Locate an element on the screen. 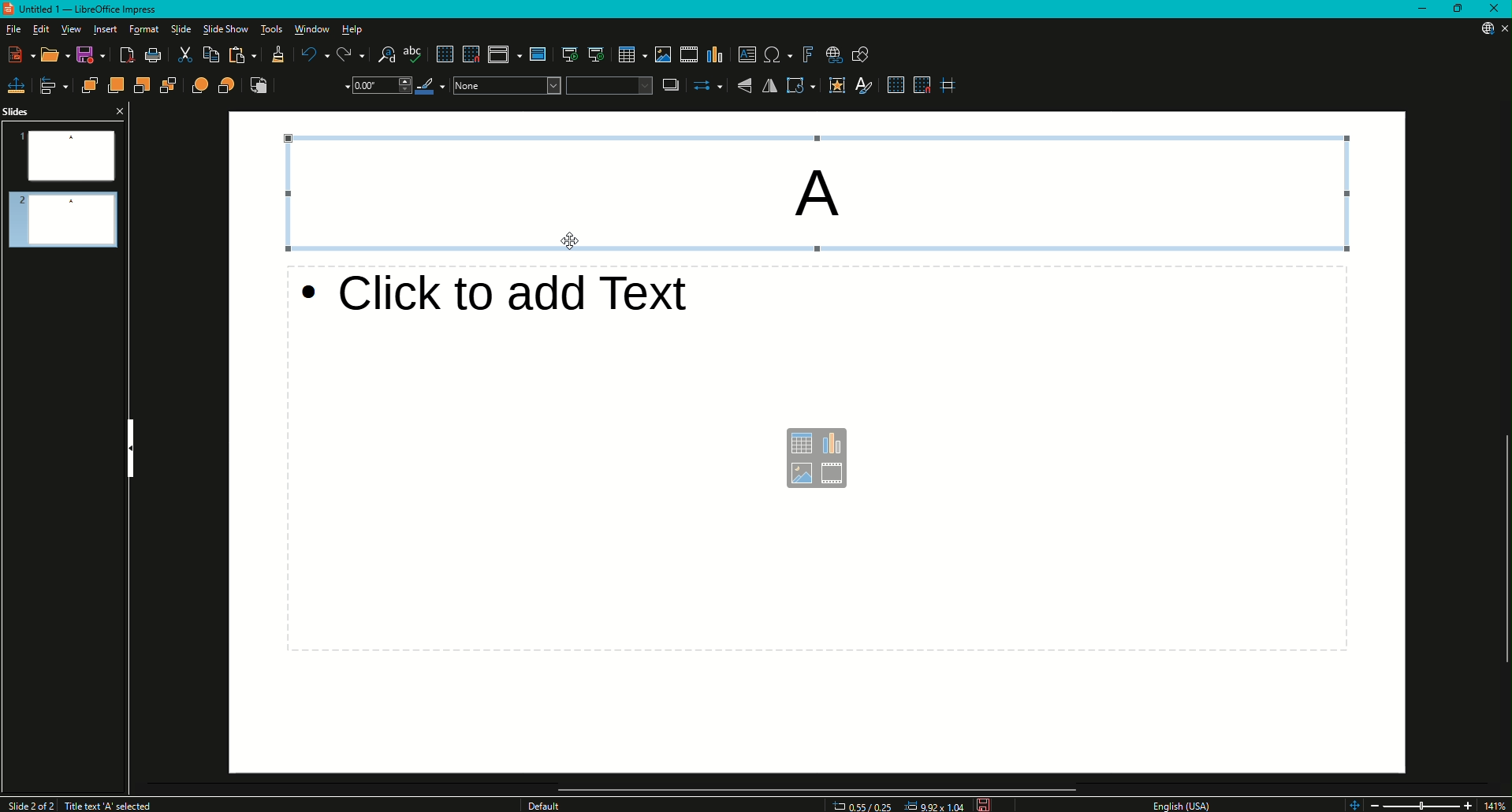 This screenshot has height=812, width=1512. 14% is located at coordinates (1497, 804).